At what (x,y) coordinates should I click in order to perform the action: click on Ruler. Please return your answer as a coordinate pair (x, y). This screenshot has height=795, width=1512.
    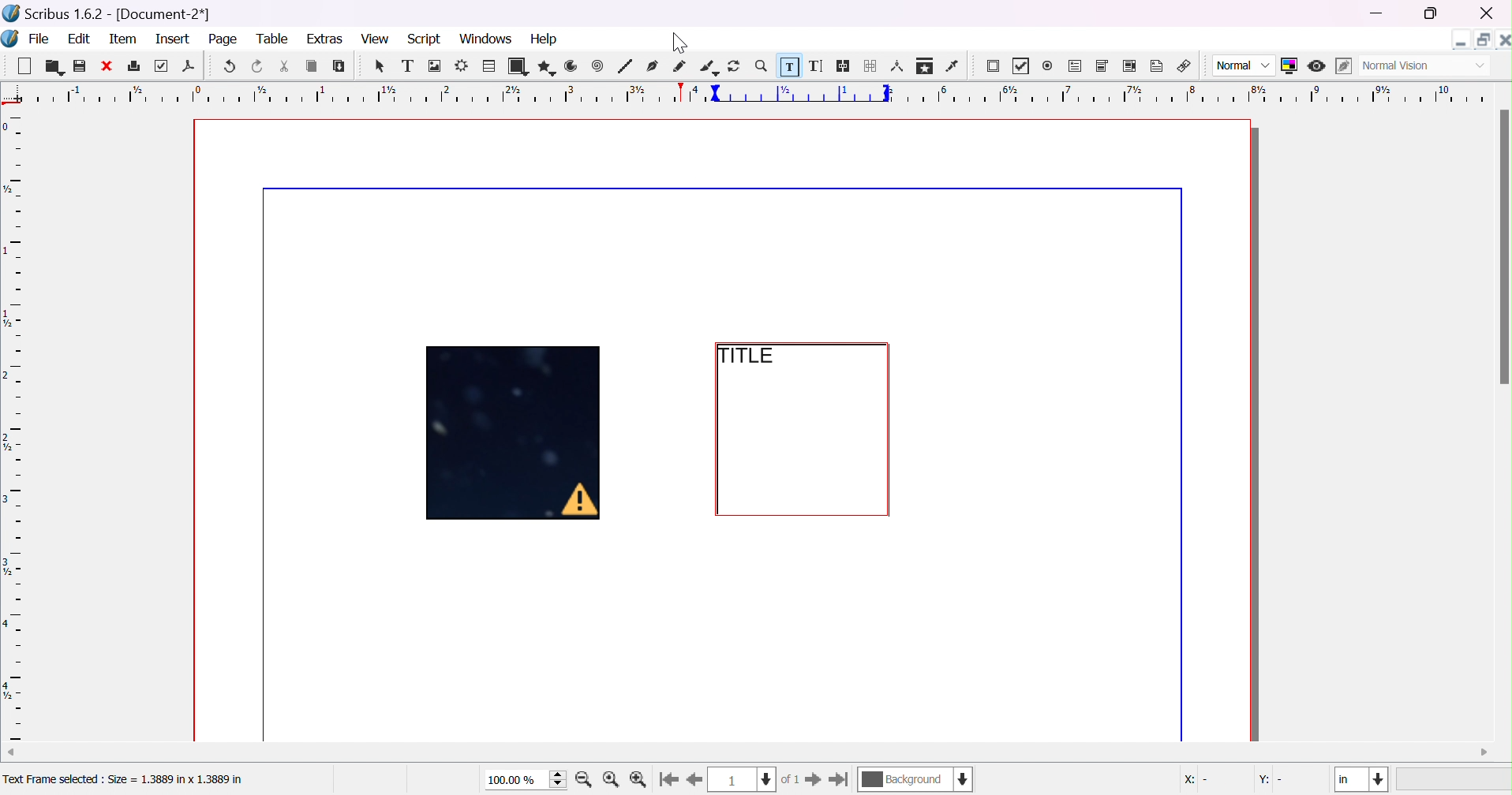
    Looking at the image, I should click on (759, 93).